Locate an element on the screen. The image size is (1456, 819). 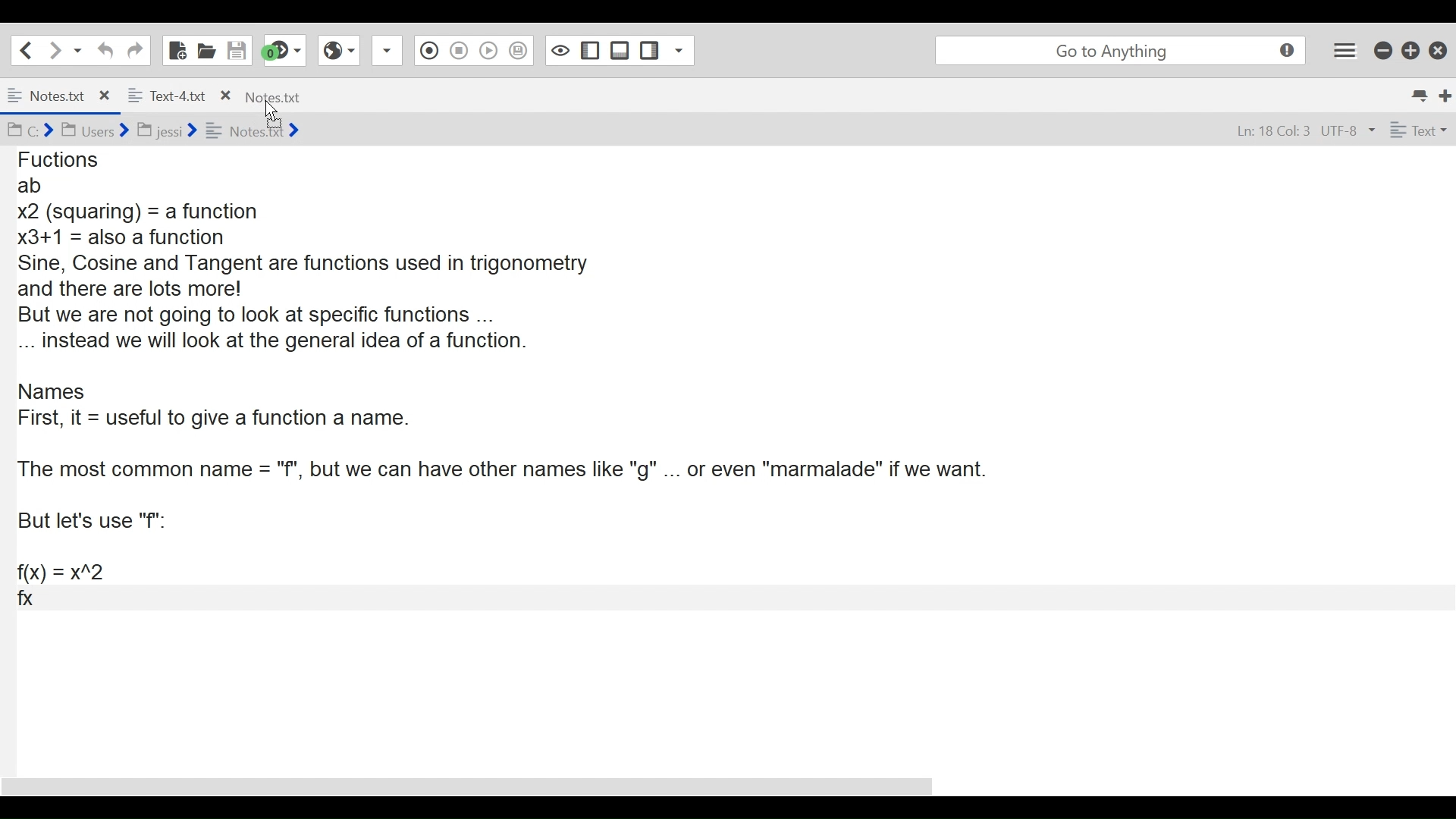
Restore is located at coordinates (1409, 50).